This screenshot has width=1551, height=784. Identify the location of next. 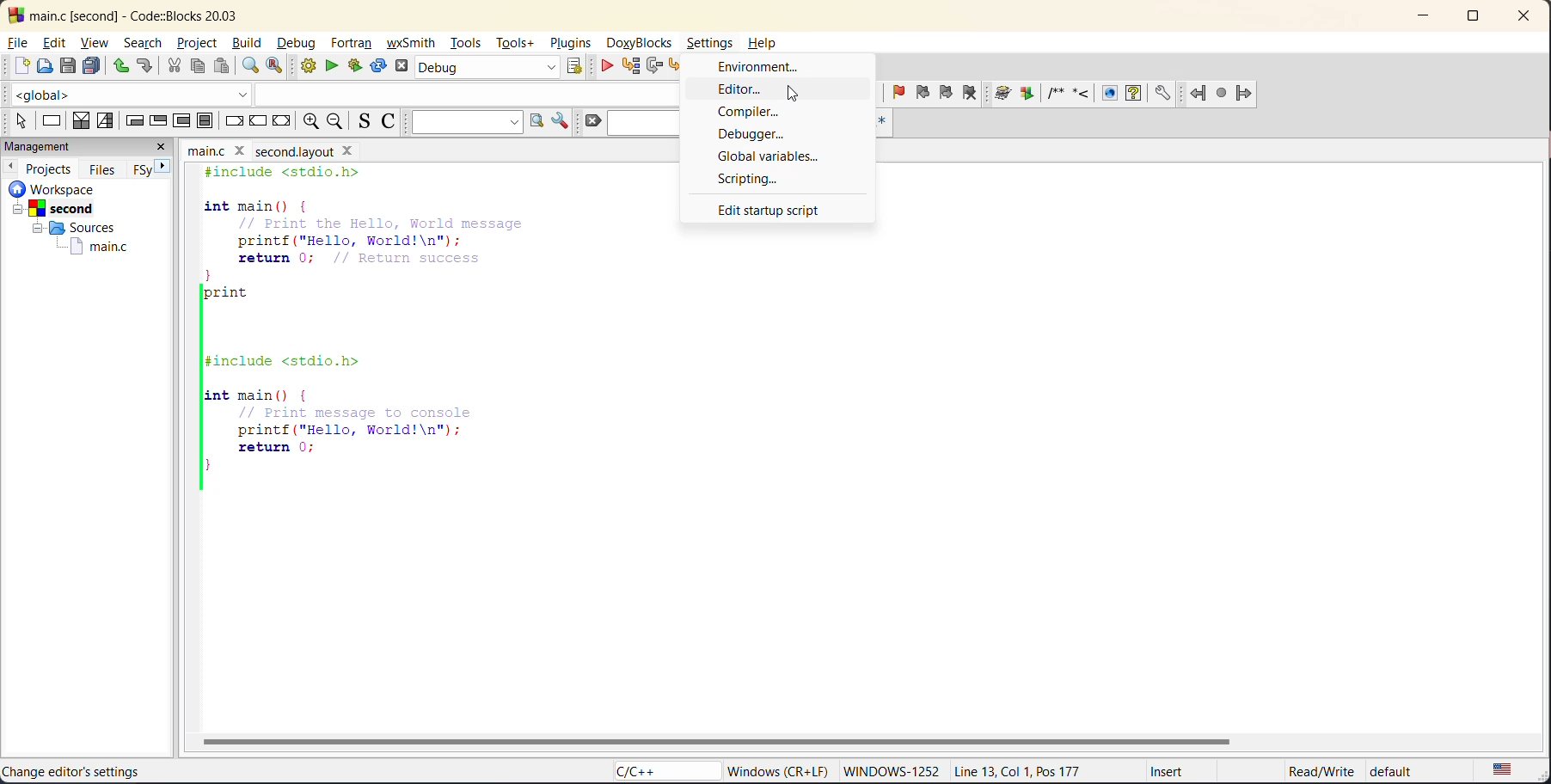
(169, 168).